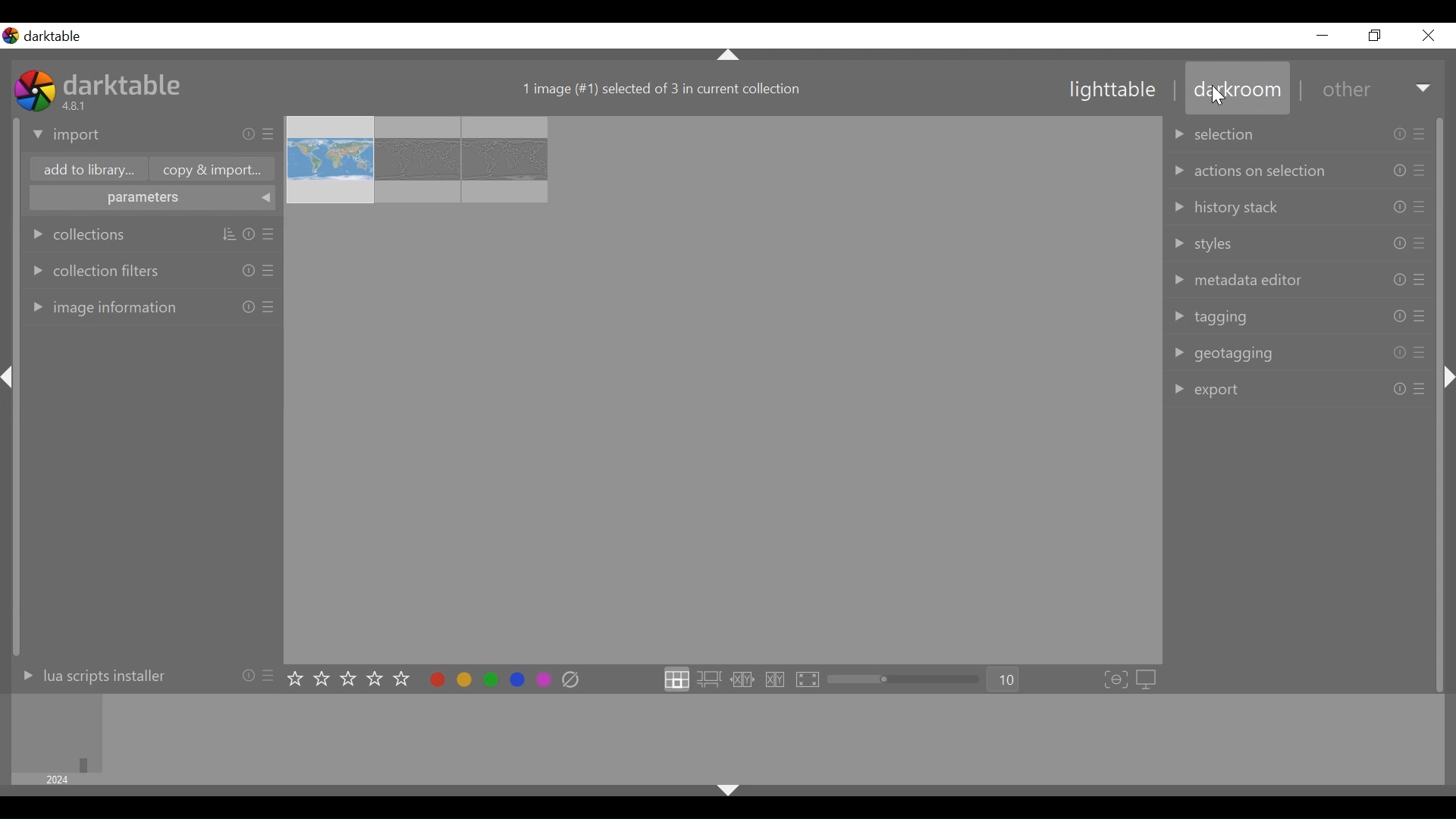  I want to click on cursor, so click(1218, 93).